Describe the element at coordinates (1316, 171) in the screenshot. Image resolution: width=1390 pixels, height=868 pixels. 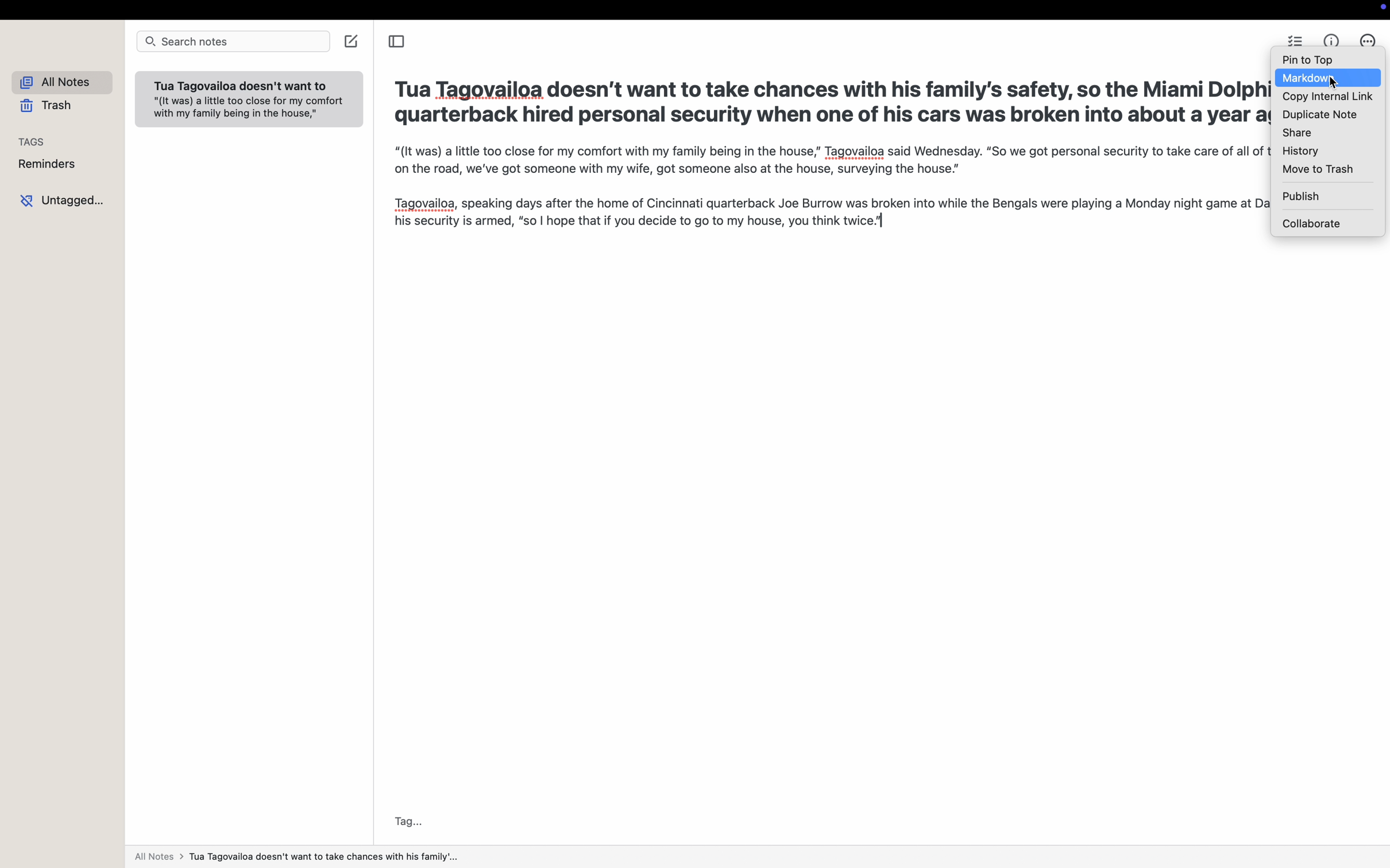
I see `move to trash` at that location.